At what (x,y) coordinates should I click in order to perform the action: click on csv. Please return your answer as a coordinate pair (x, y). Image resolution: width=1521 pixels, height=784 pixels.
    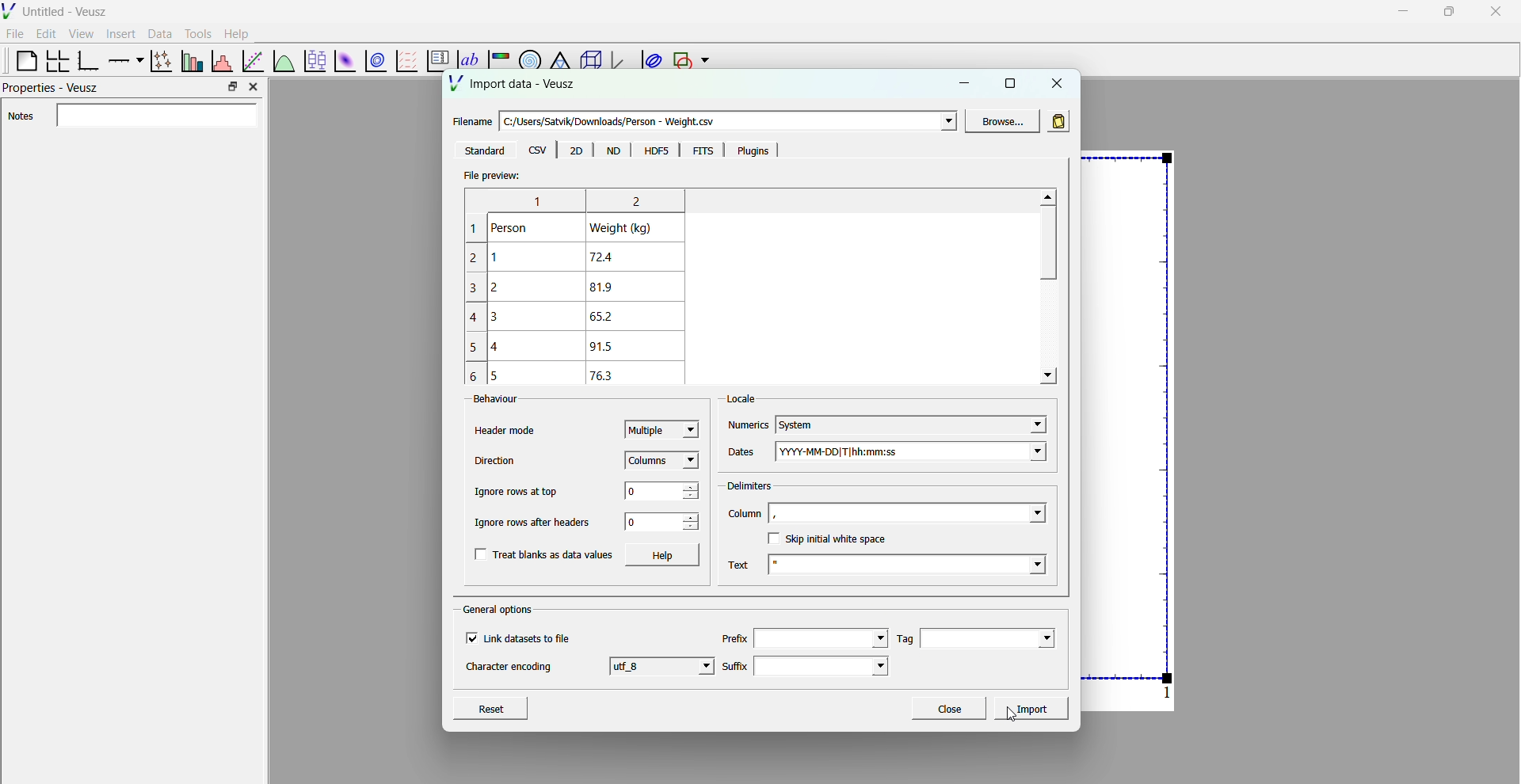
    Looking at the image, I should click on (538, 150).